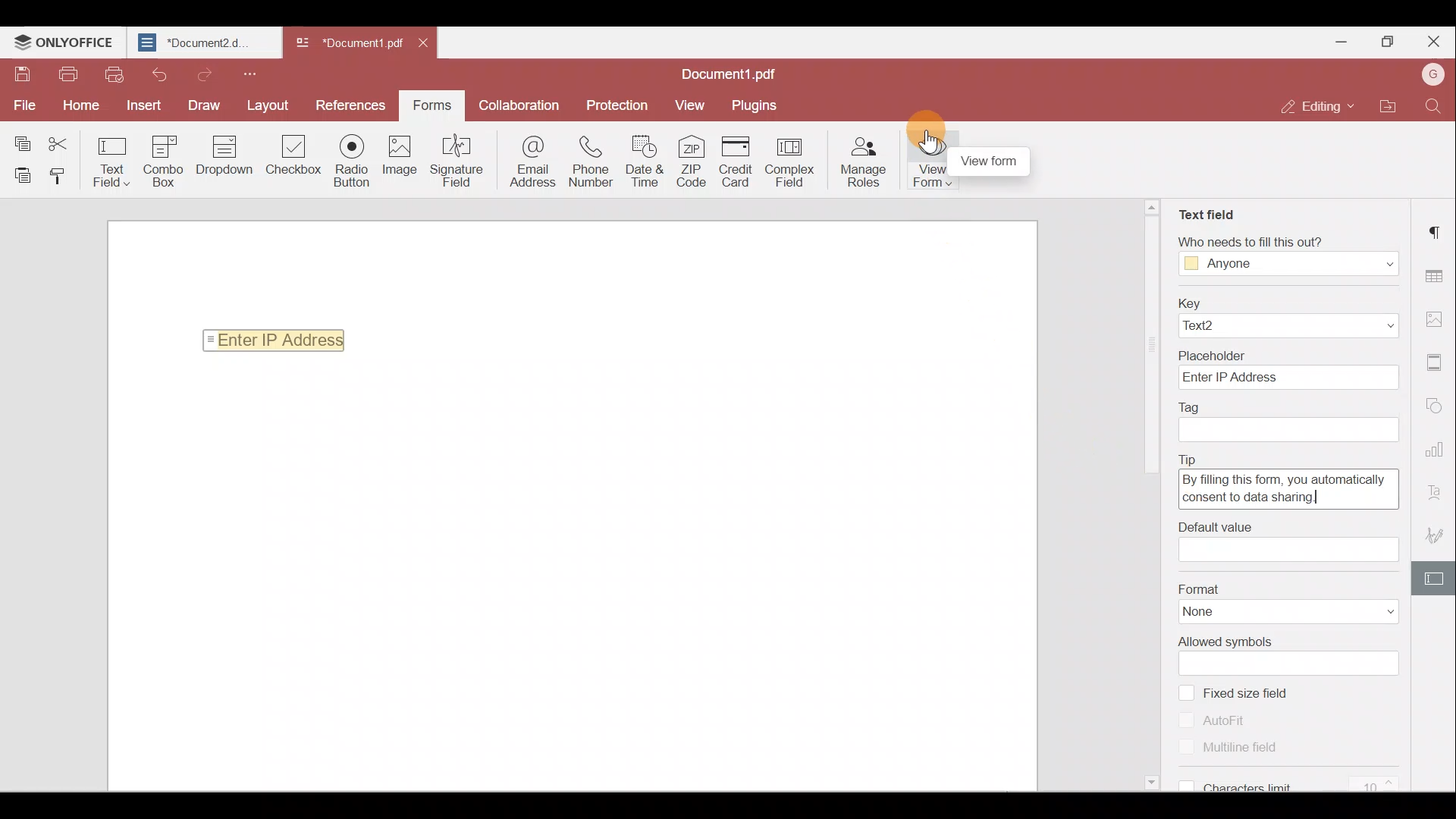 The height and width of the screenshot is (819, 1456). I want to click on Document1.pdf, so click(737, 71).